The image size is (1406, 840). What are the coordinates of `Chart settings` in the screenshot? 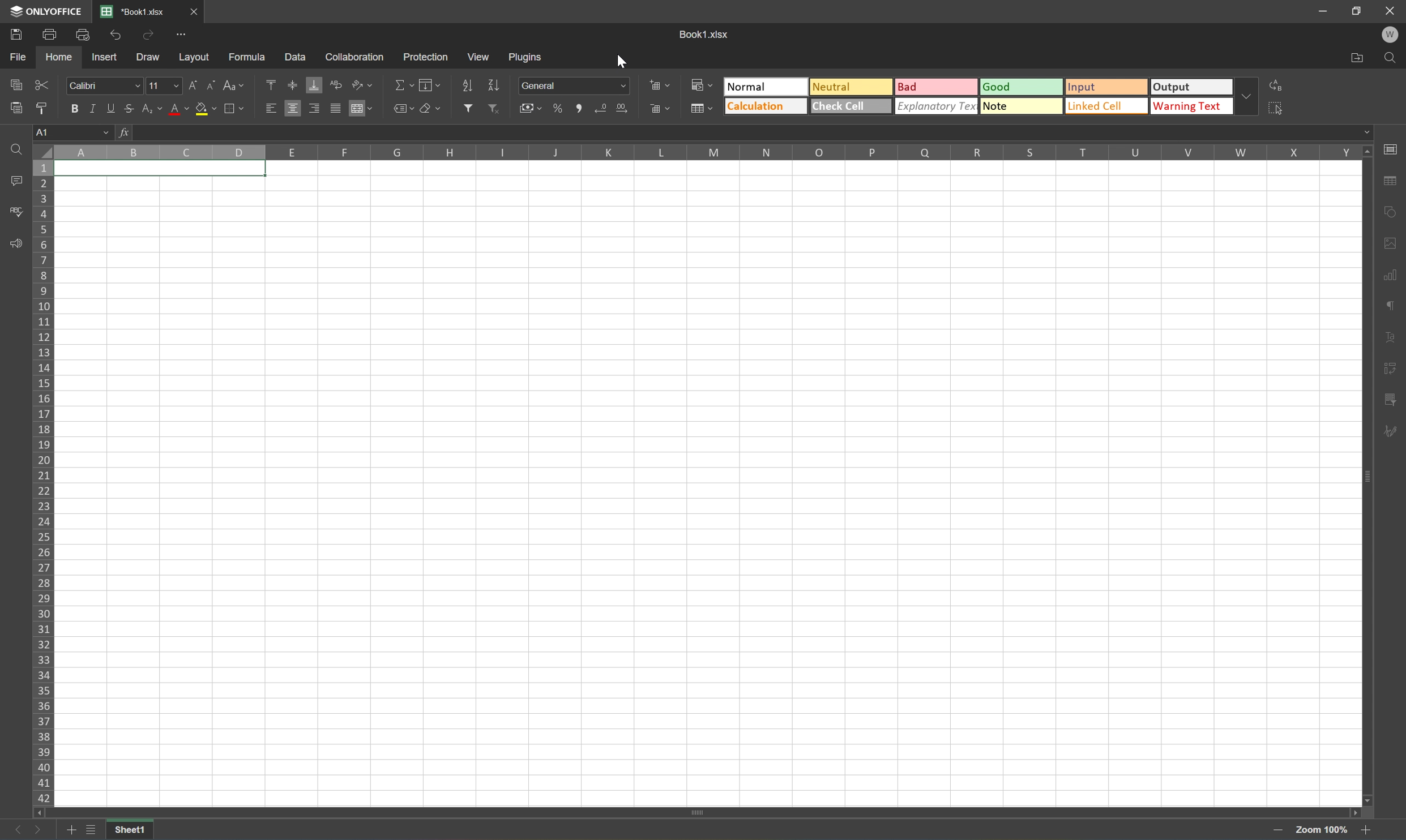 It's located at (1388, 275).